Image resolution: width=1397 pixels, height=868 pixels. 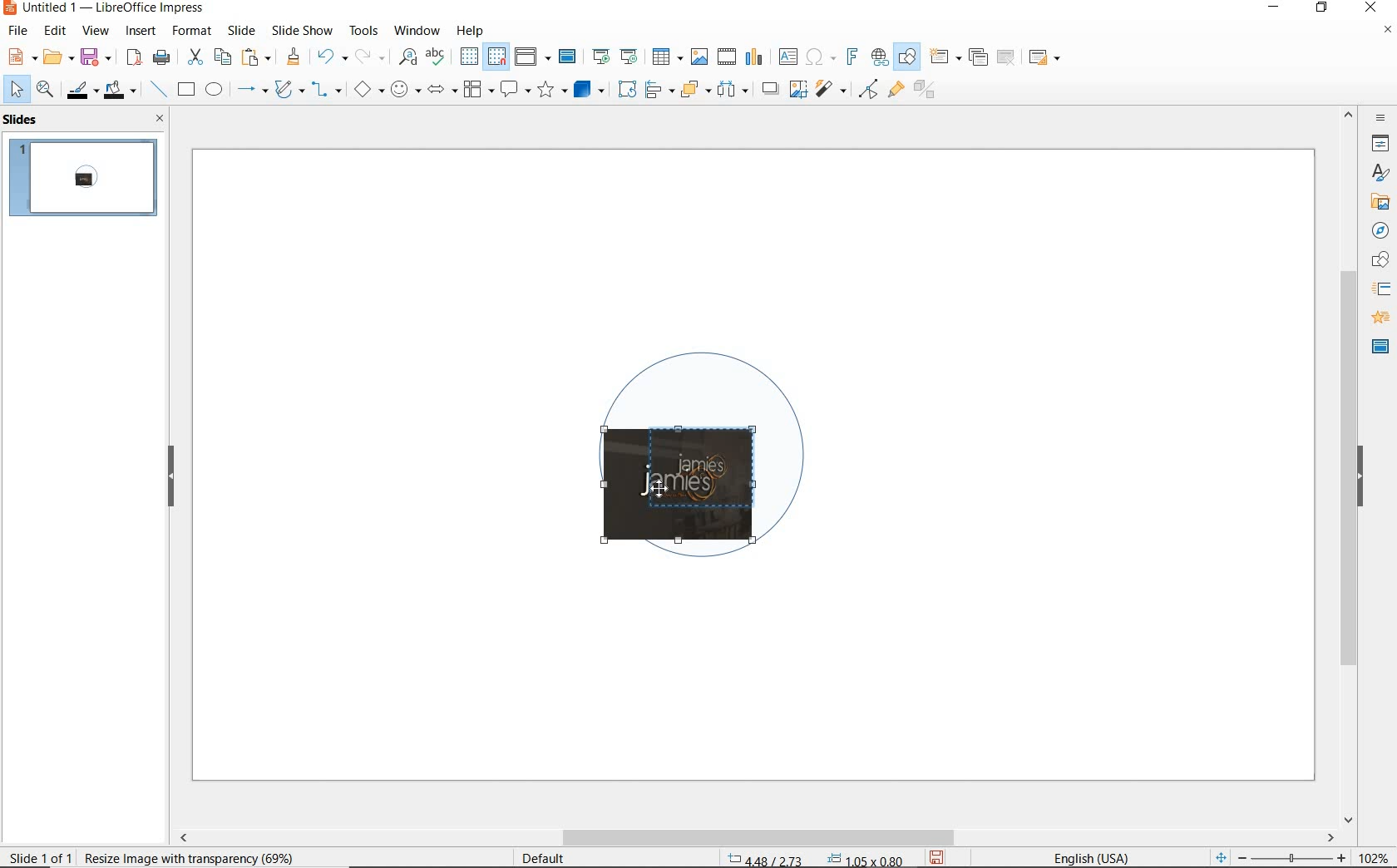 I want to click on delete slide, so click(x=1006, y=58).